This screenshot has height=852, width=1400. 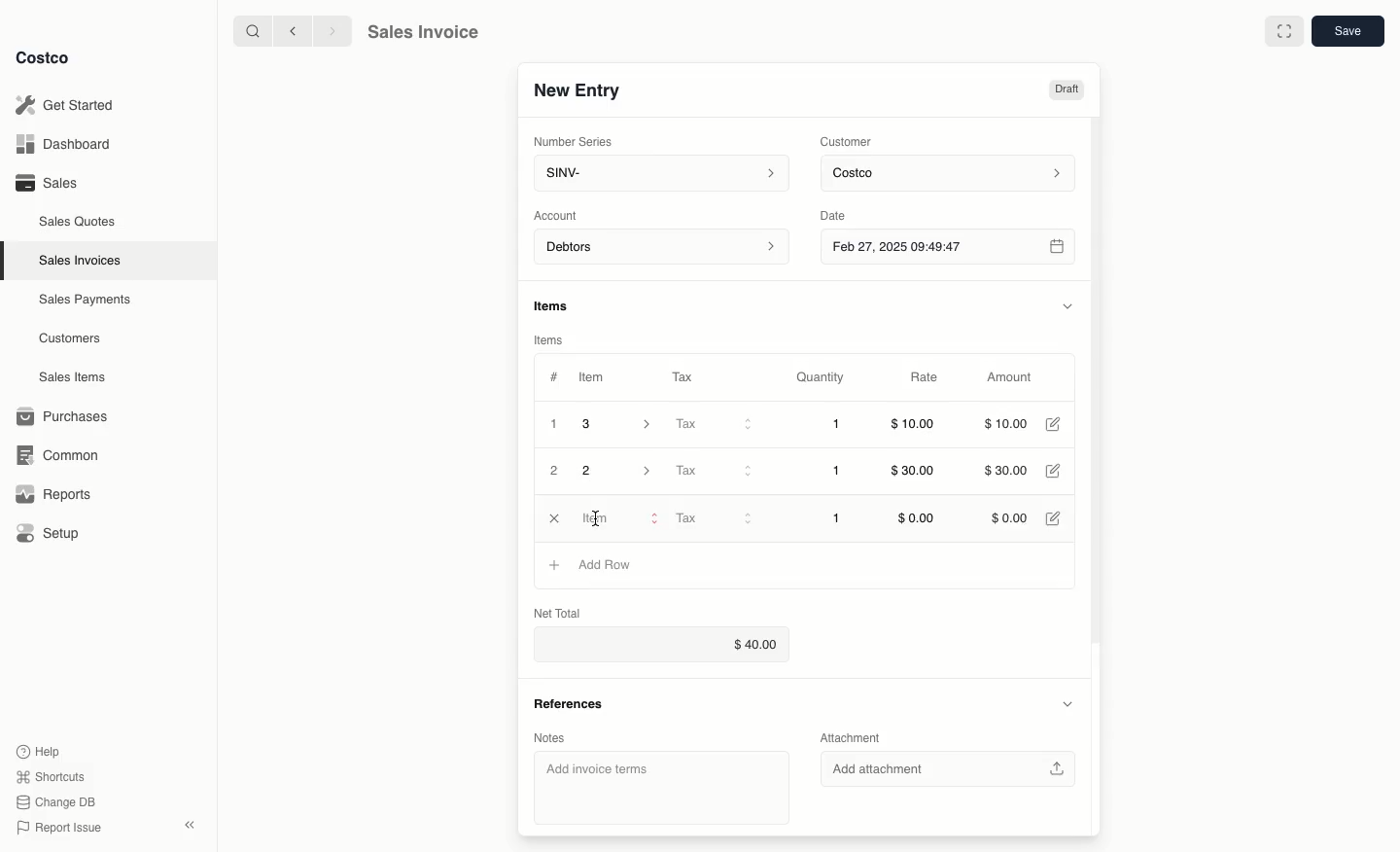 I want to click on $30.00, so click(x=1004, y=472).